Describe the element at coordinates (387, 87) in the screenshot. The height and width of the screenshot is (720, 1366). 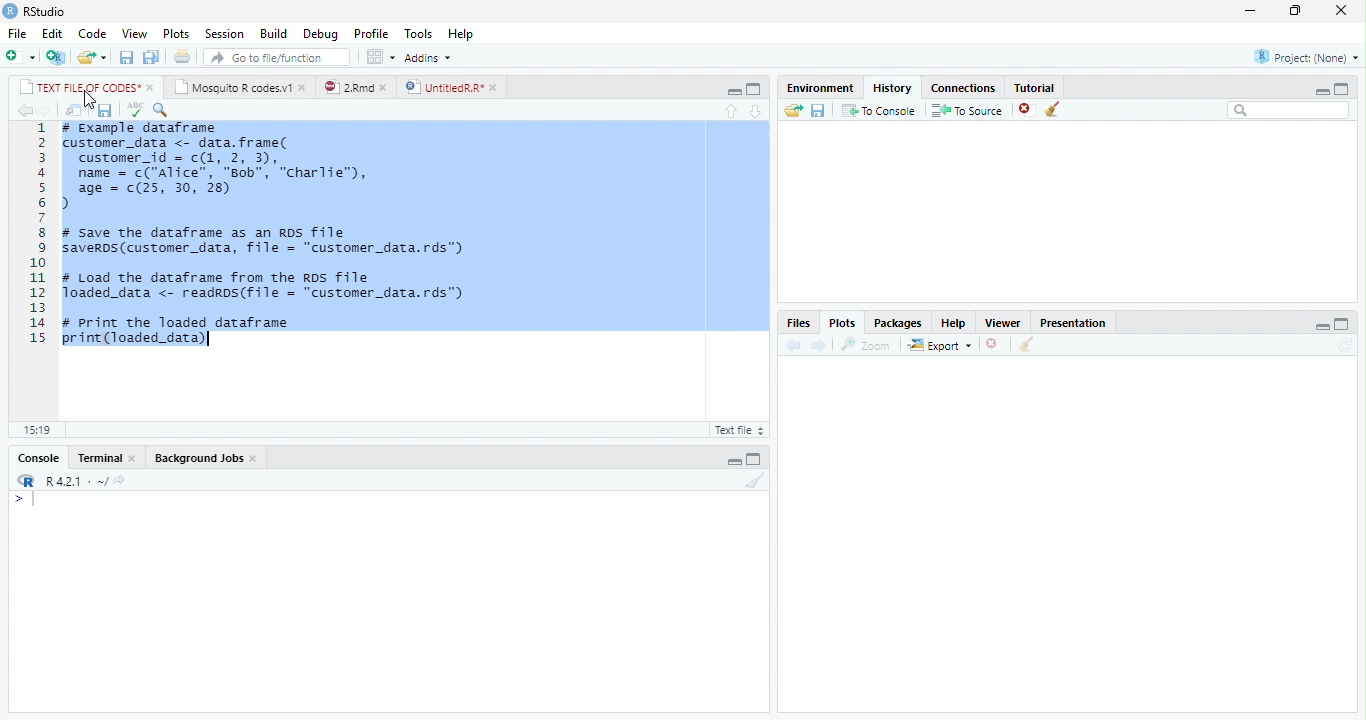
I see `close` at that location.